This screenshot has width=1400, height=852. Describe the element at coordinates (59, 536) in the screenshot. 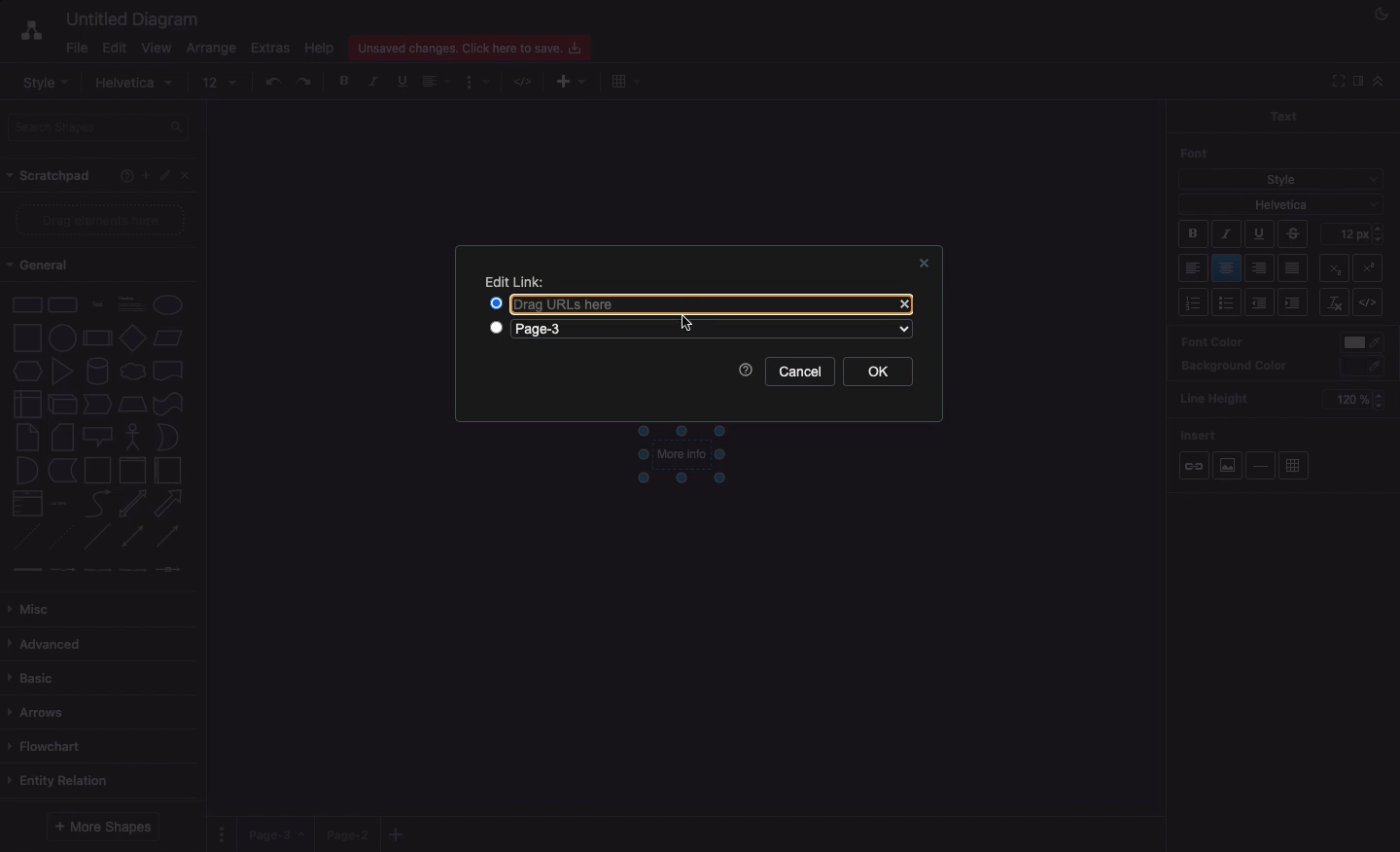

I see `dotted line` at that location.